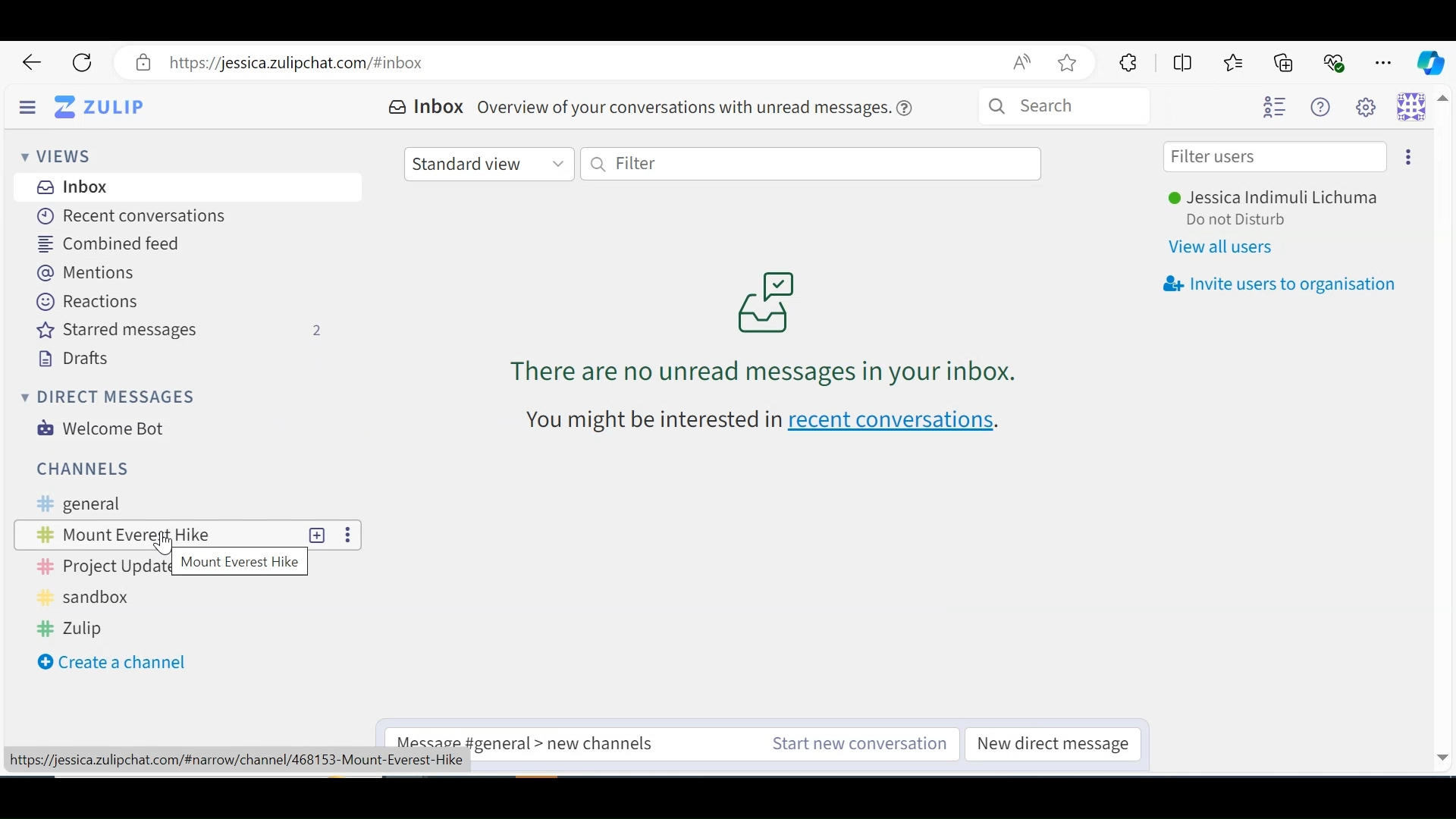  I want to click on Address bar, so click(580, 63).